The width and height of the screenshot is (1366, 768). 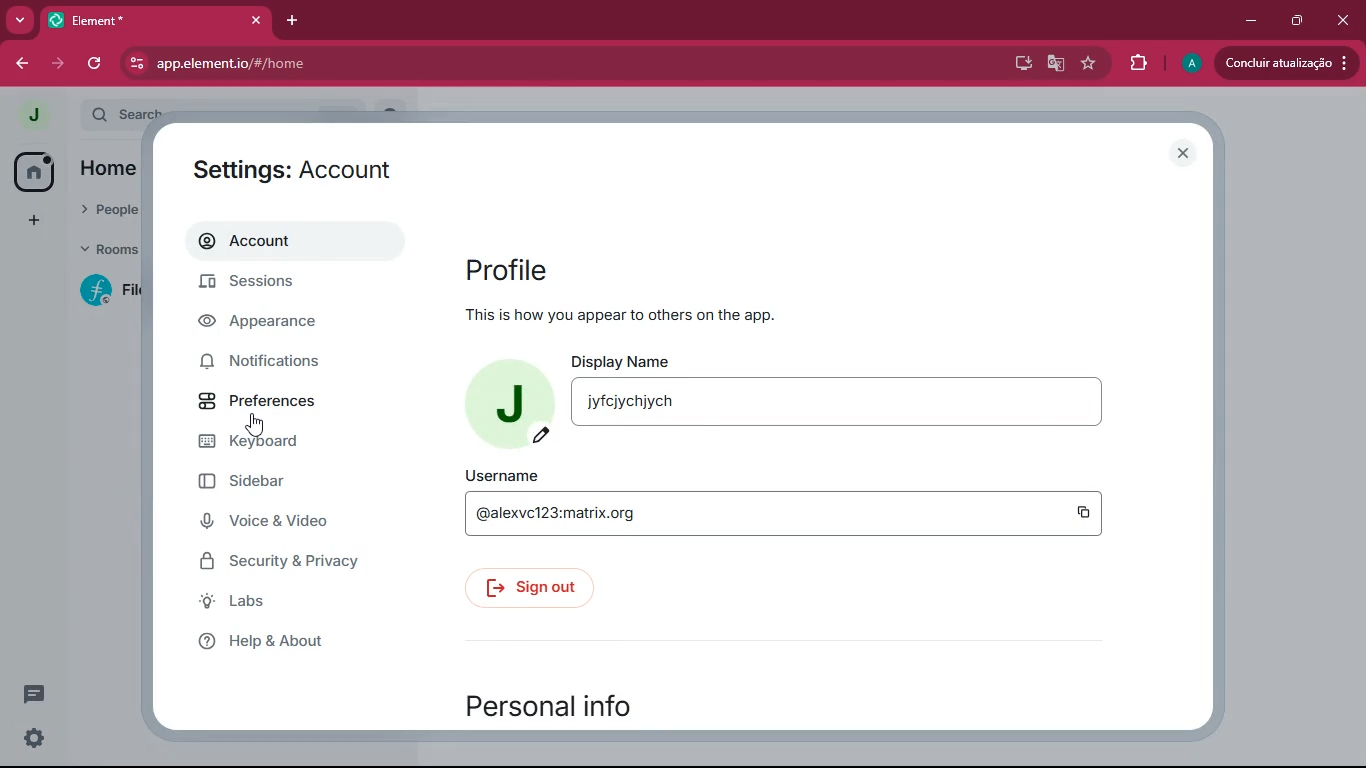 What do you see at coordinates (1343, 21) in the screenshot?
I see `close` at bounding box center [1343, 21].